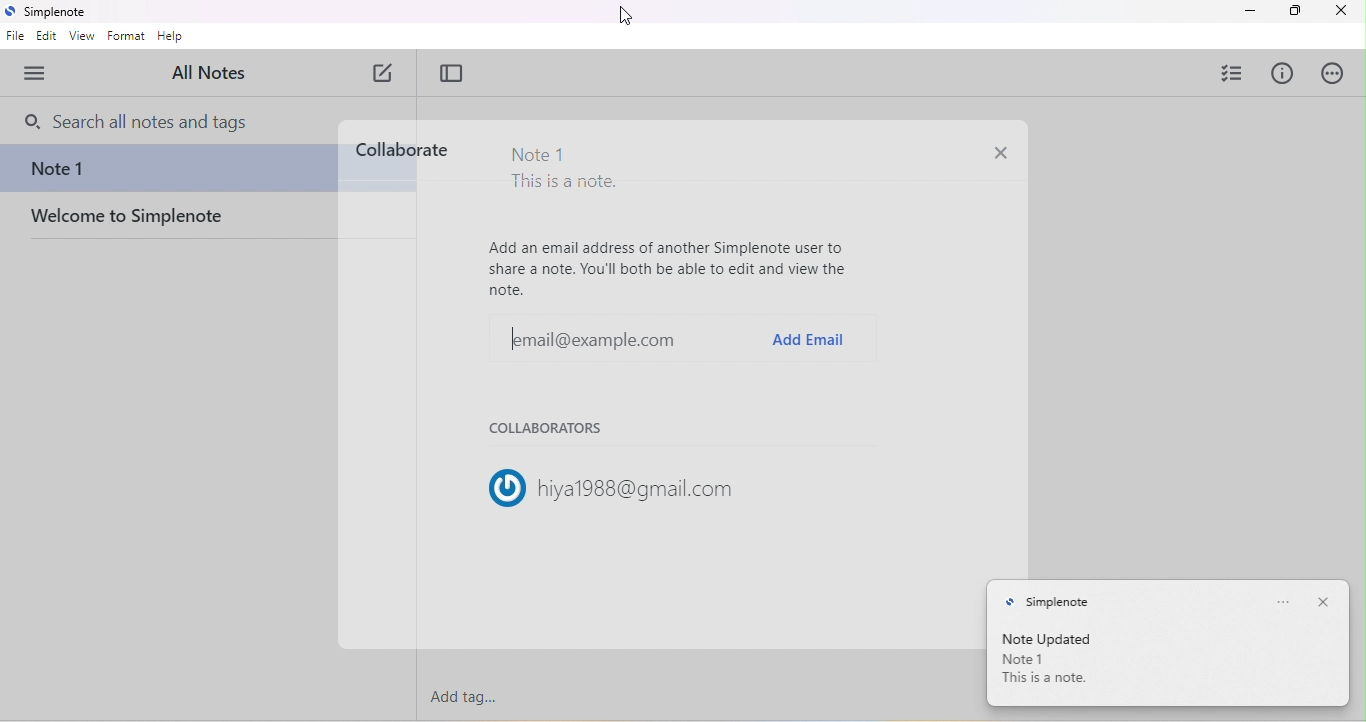 The image size is (1366, 722). What do you see at coordinates (1282, 601) in the screenshot?
I see `notification settings` at bounding box center [1282, 601].